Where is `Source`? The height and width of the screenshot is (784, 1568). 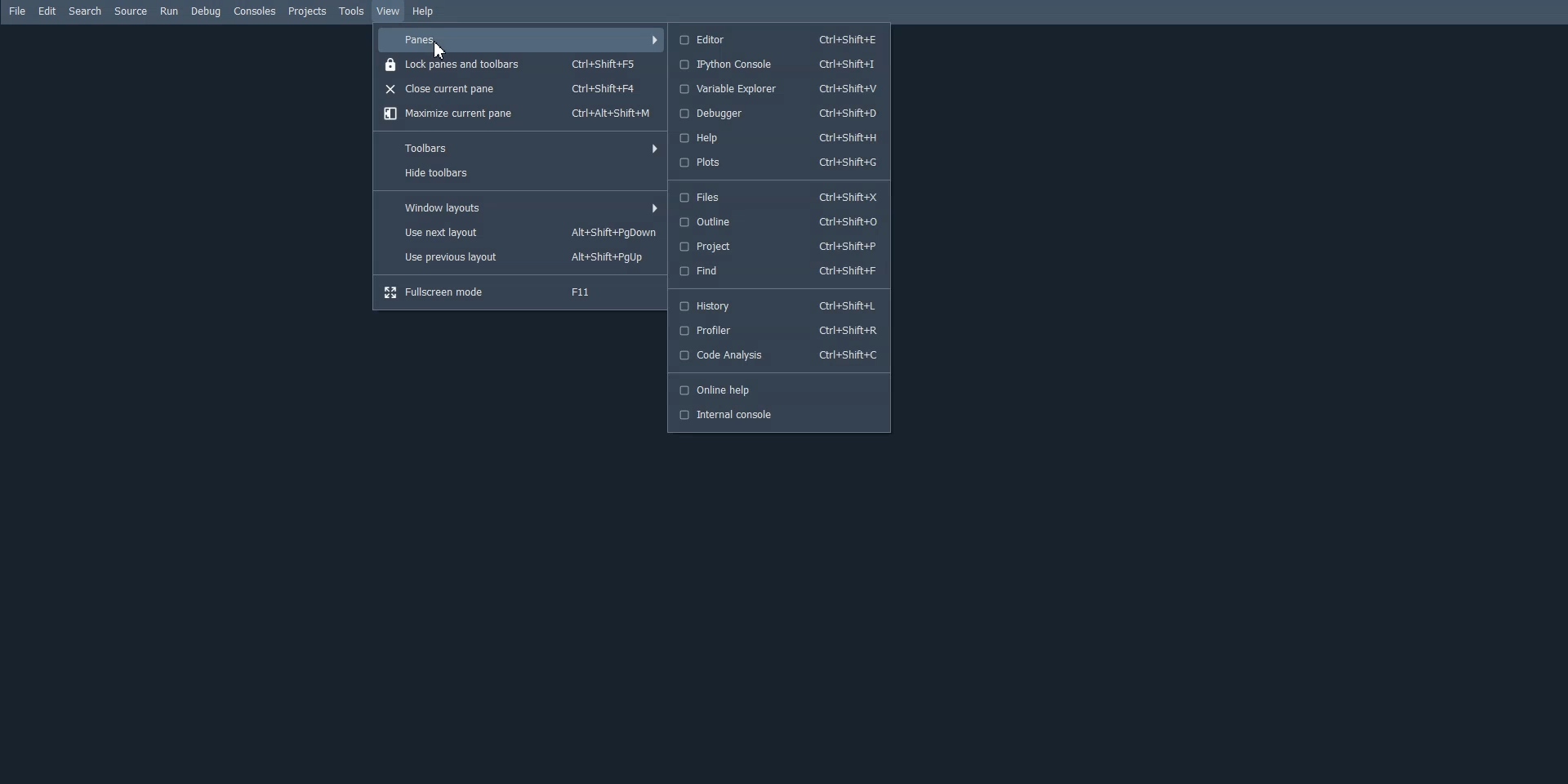 Source is located at coordinates (131, 11).